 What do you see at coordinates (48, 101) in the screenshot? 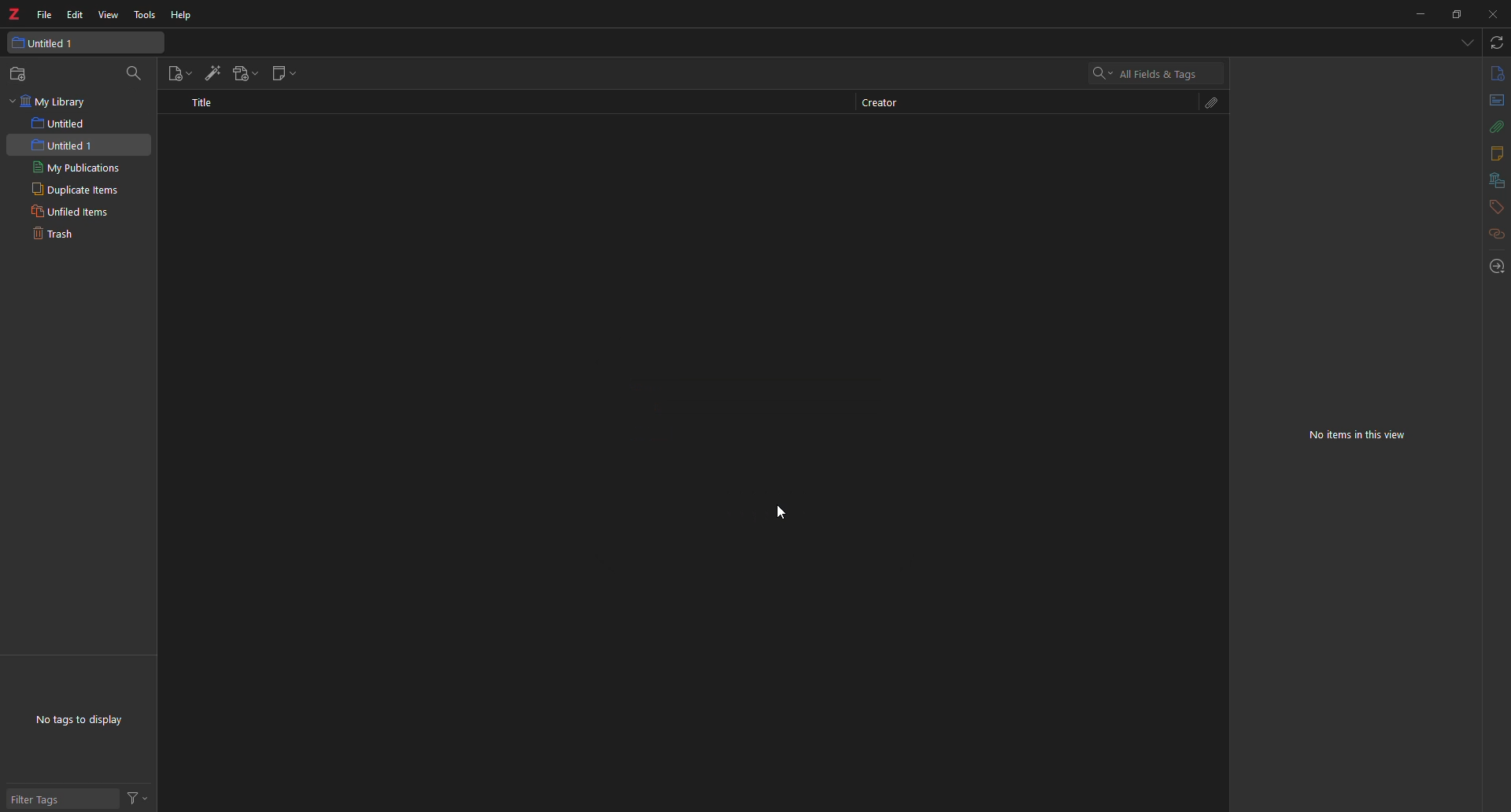
I see `my library` at bounding box center [48, 101].